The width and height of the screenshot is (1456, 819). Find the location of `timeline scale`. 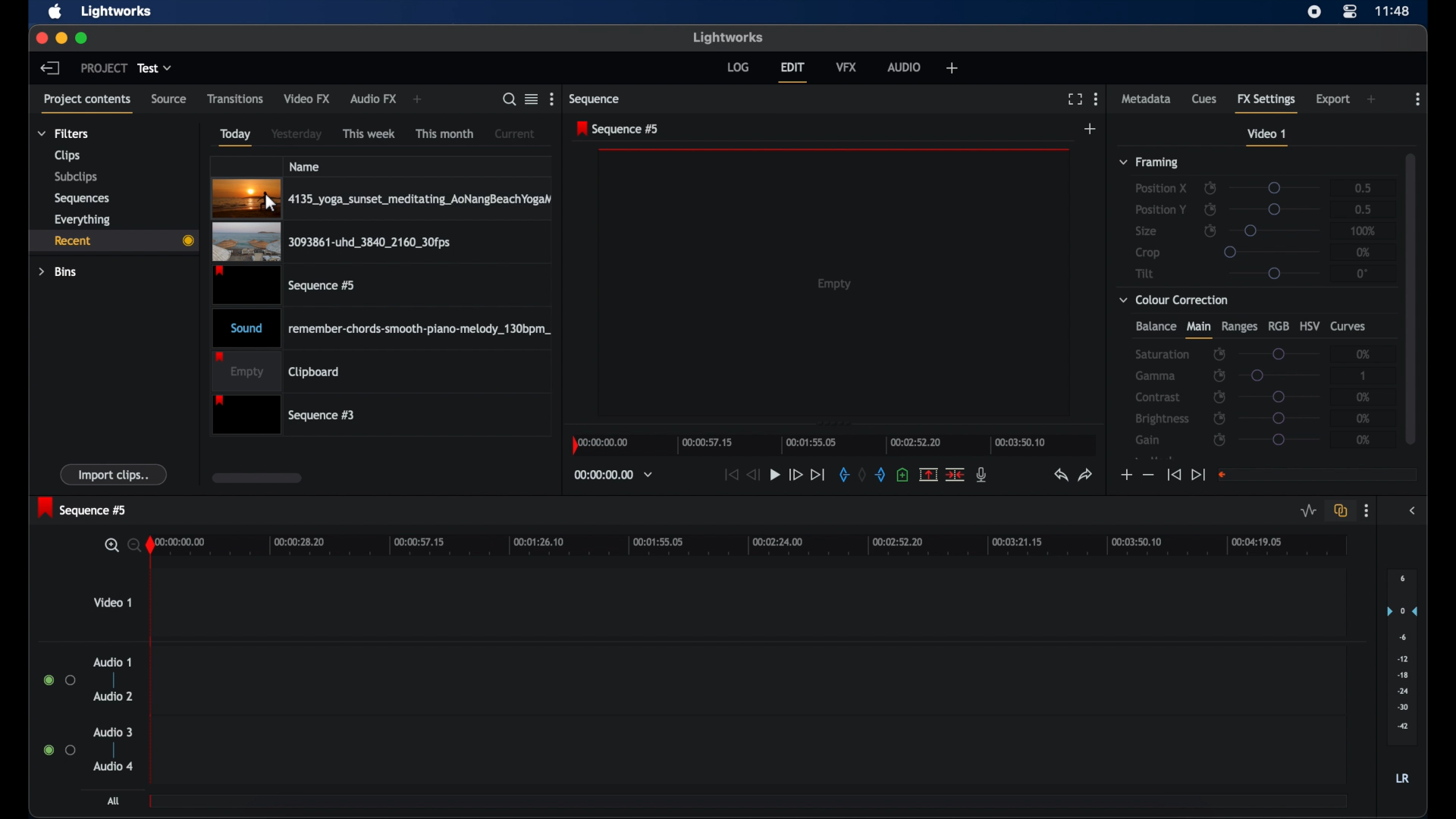

timeline scale is located at coordinates (759, 547).